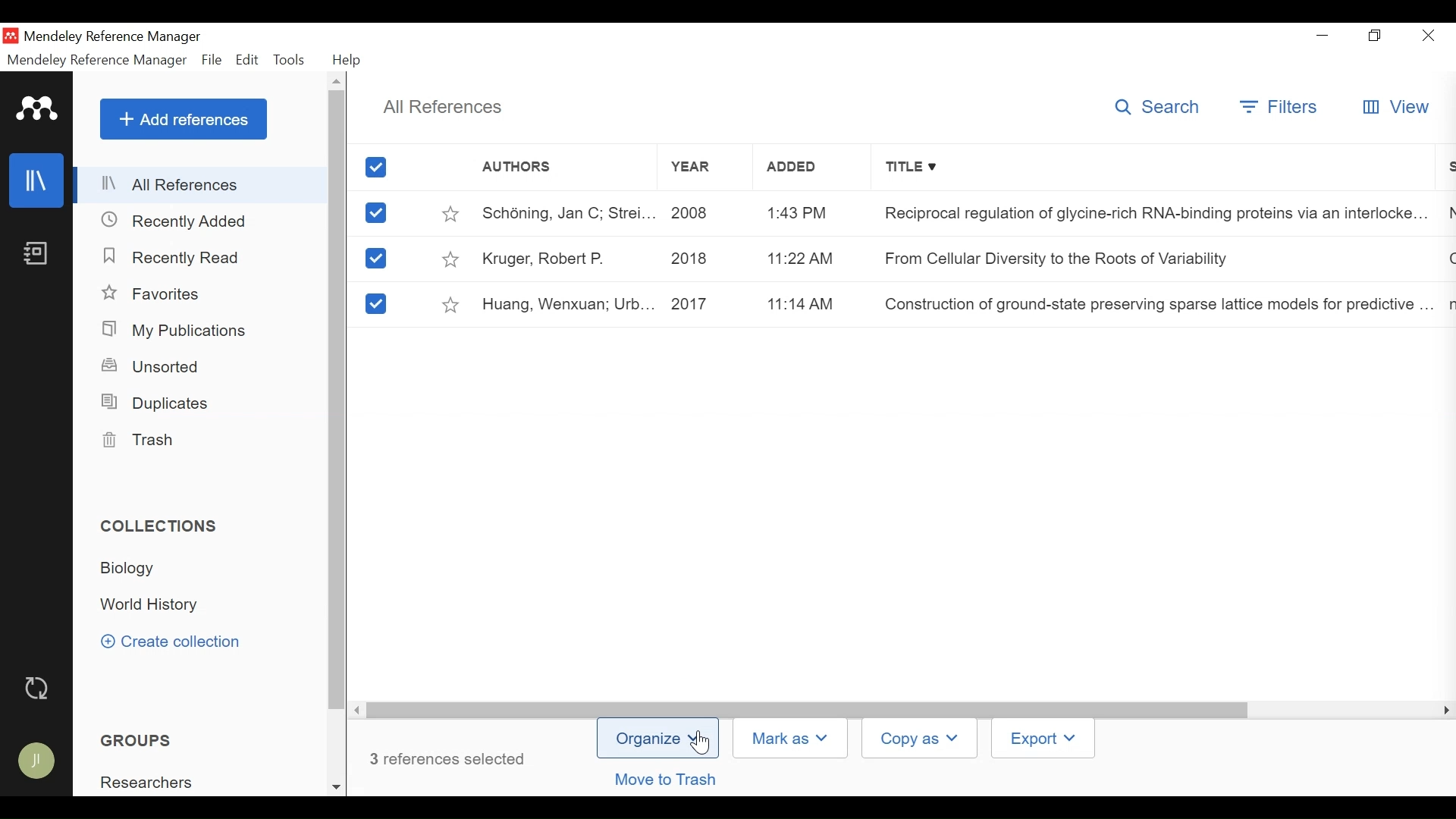 The image size is (1456, 819). What do you see at coordinates (1376, 36) in the screenshot?
I see `Restore` at bounding box center [1376, 36].